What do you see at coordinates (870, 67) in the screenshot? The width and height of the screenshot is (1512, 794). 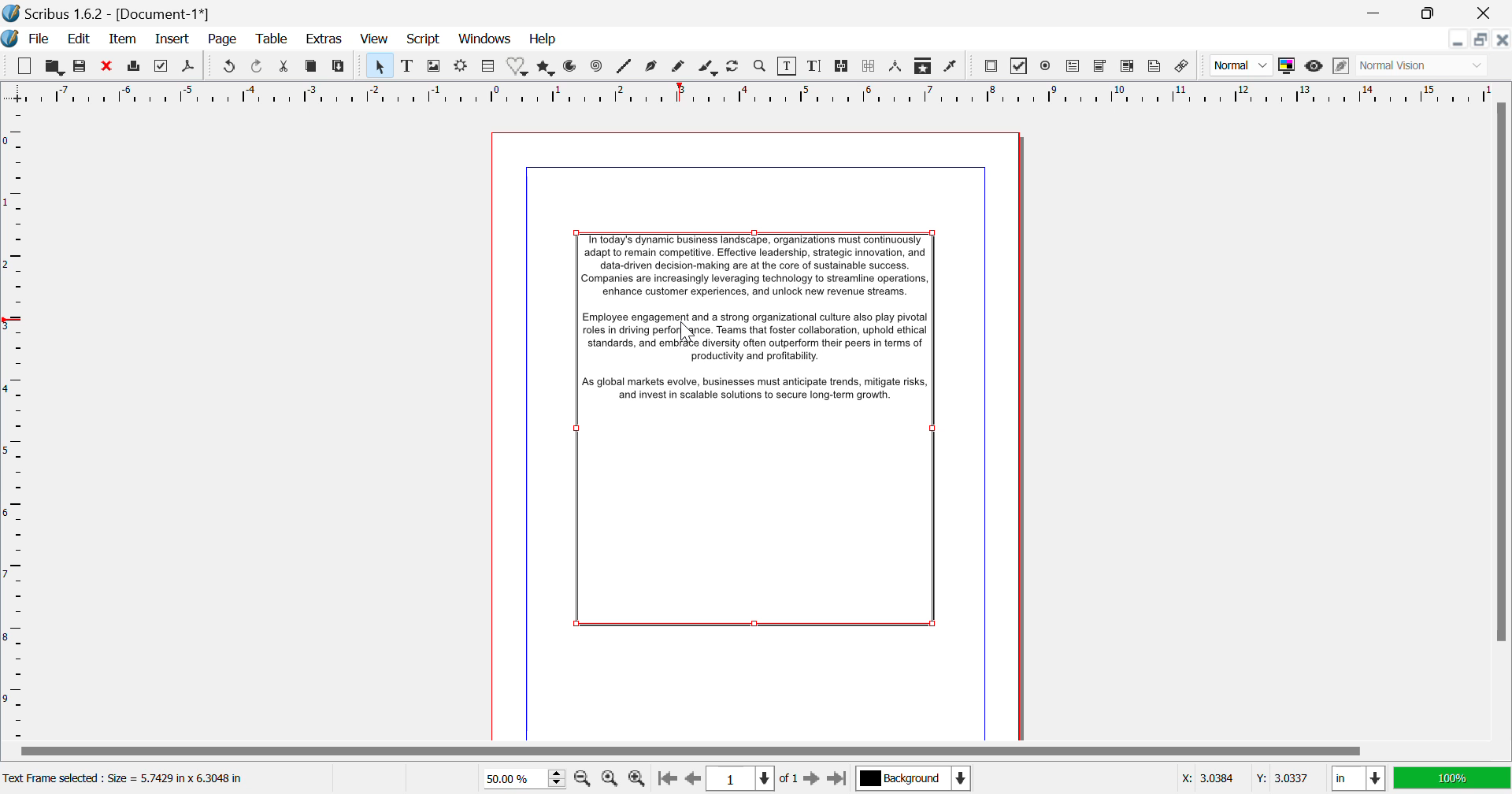 I see `Delink Text Frames` at bounding box center [870, 67].